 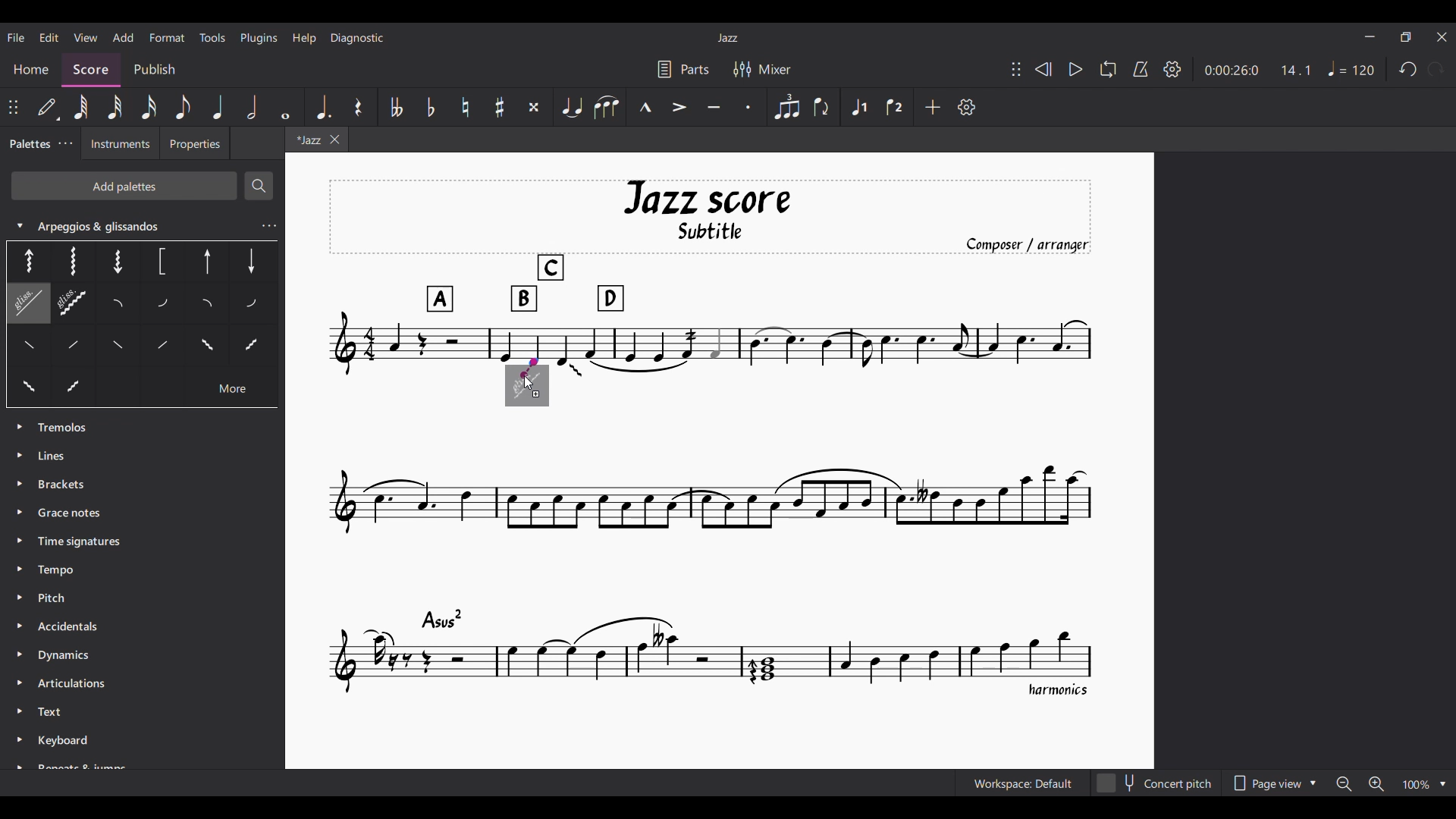 What do you see at coordinates (397, 107) in the screenshot?
I see `Toggle double flat` at bounding box center [397, 107].